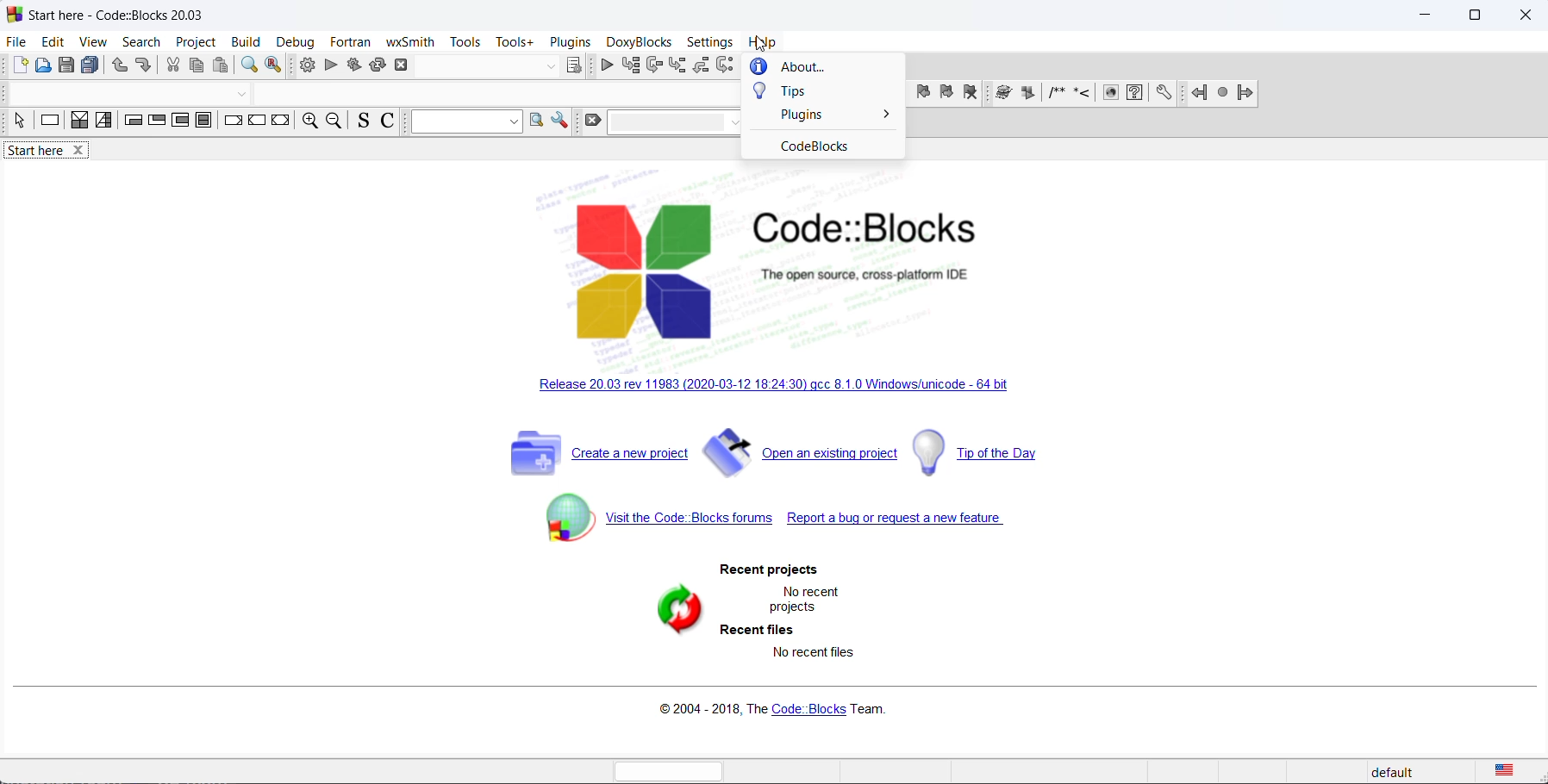 The image size is (1548, 784). Describe the element at coordinates (466, 41) in the screenshot. I see `tools` at that location.